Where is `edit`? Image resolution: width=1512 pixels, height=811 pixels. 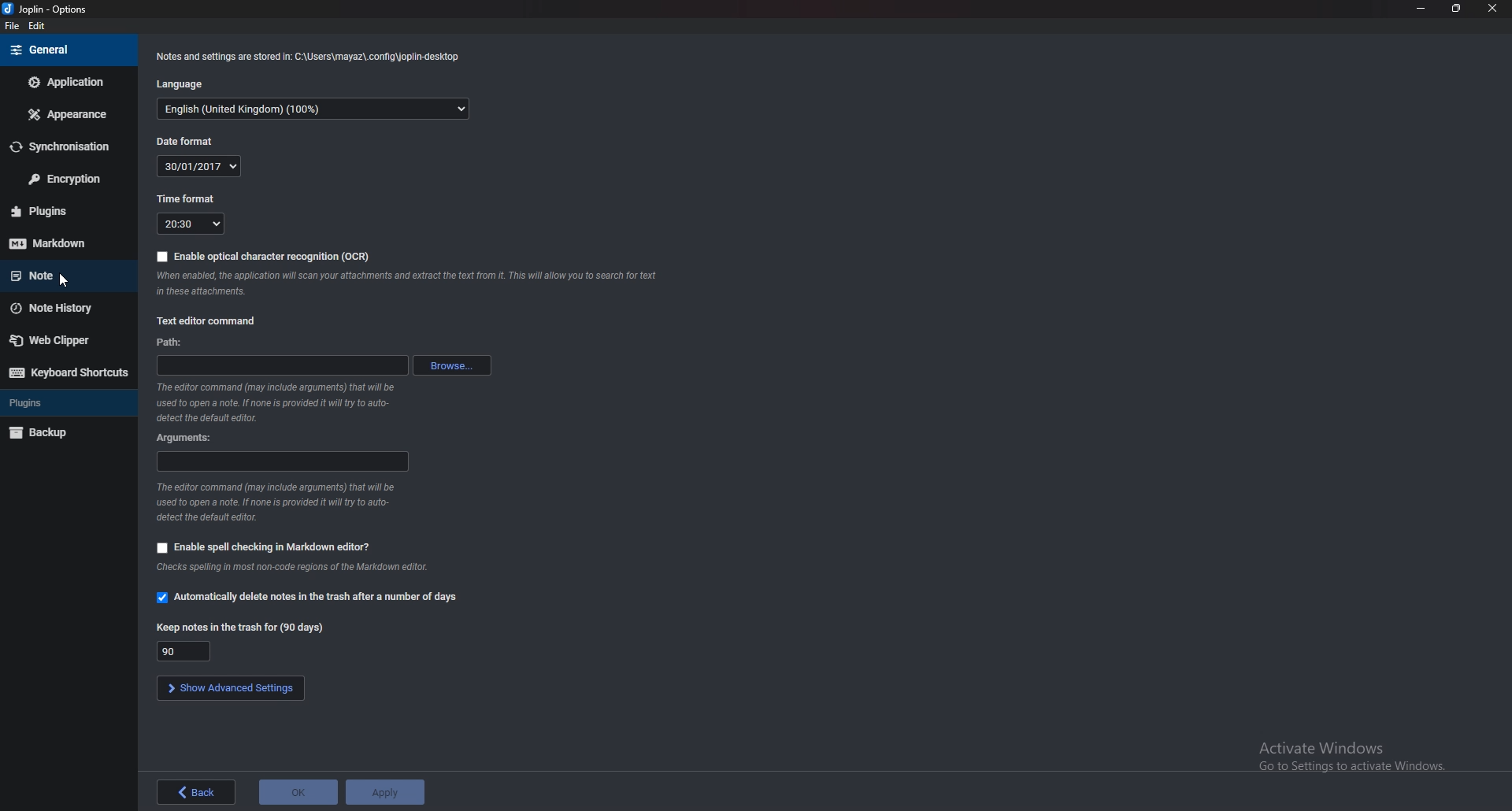
edit is located at coordinates (44, 25).